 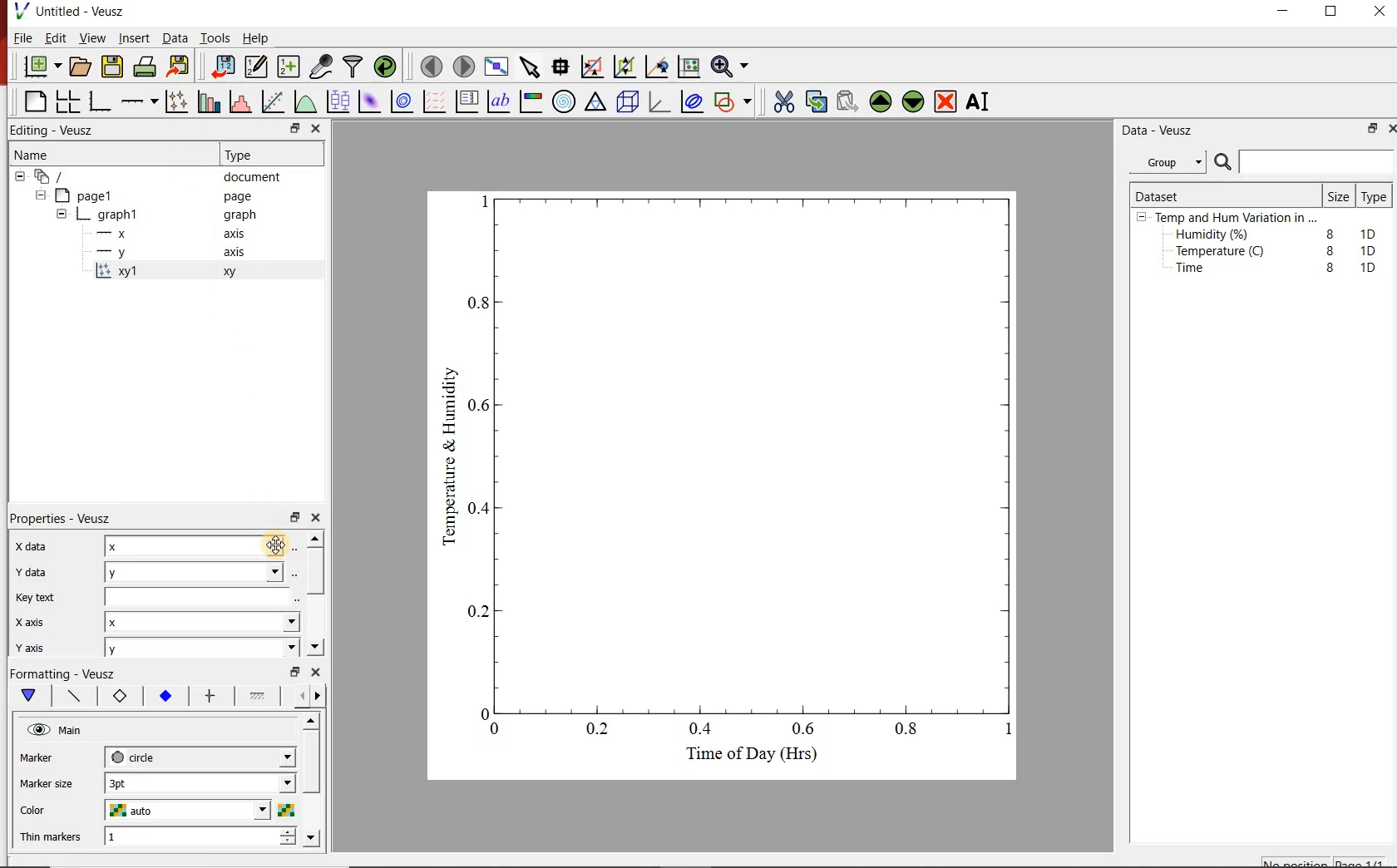 What do you see at coordinates (1199, 272) in the screenshot?
I see `Time` at bounding box center [1199, 272].